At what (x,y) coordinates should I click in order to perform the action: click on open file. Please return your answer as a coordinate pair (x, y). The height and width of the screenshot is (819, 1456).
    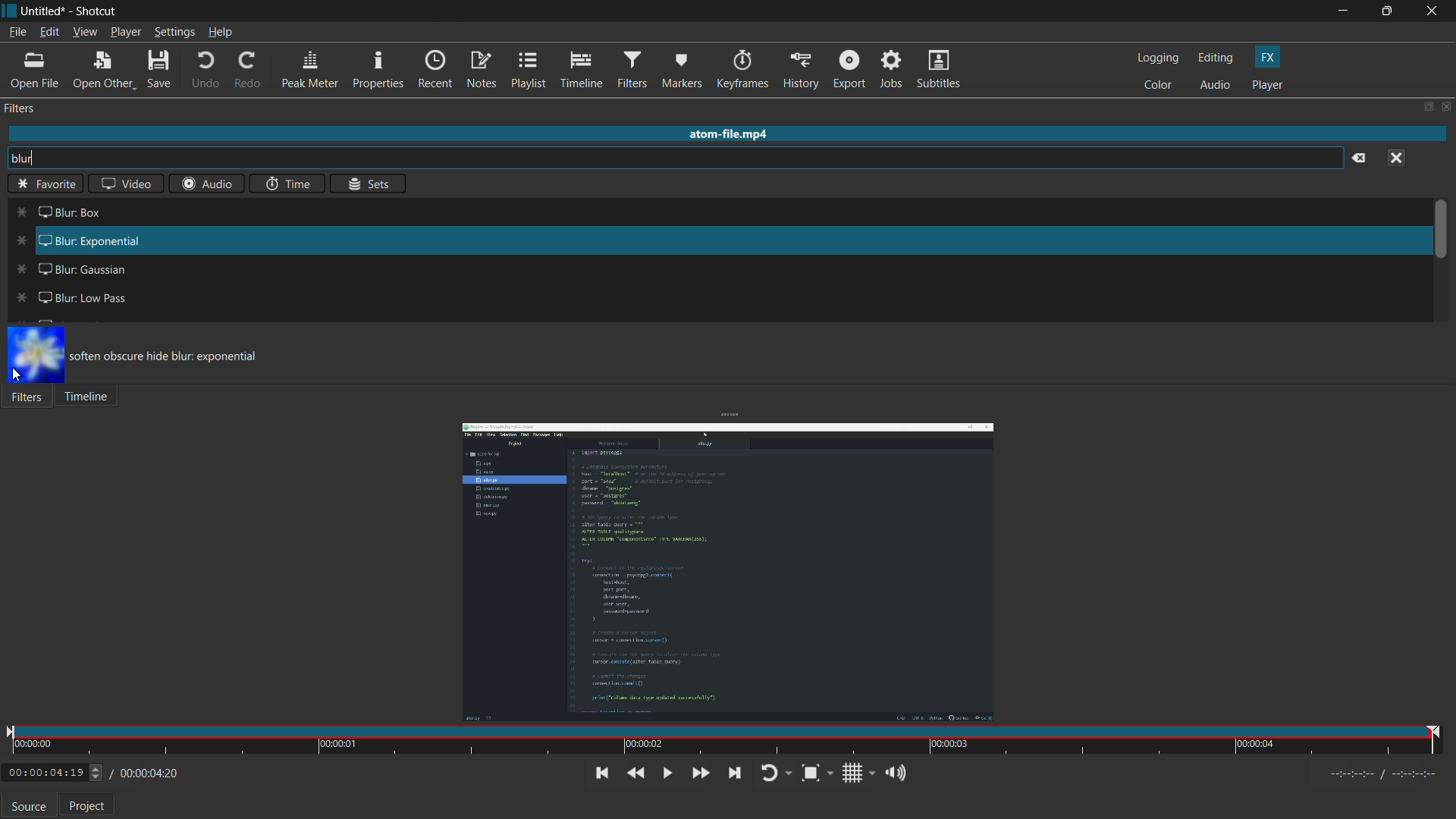
    Looking at the image, I should click on (35, 71).